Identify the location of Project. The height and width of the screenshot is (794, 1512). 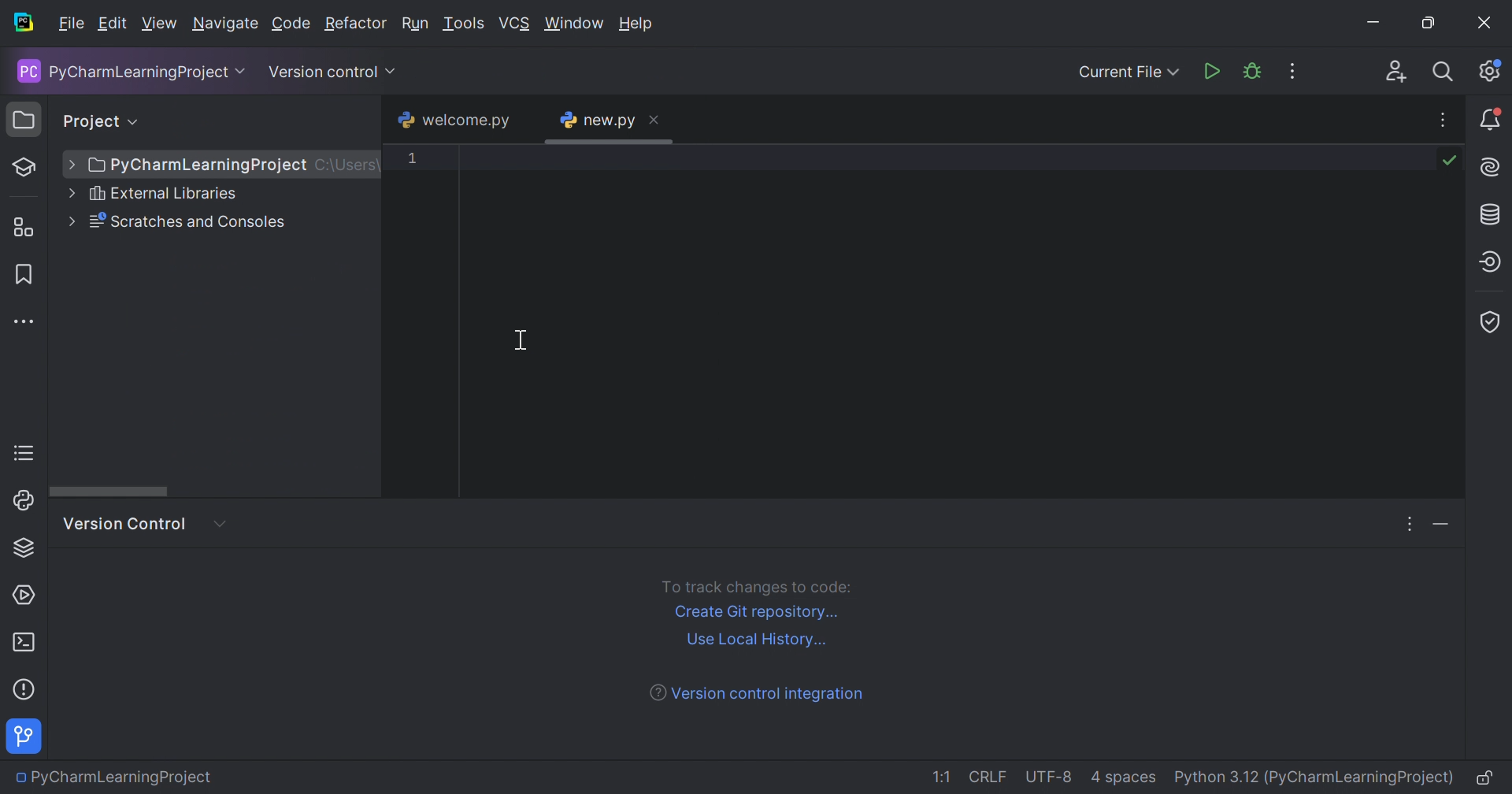
(98, 122).